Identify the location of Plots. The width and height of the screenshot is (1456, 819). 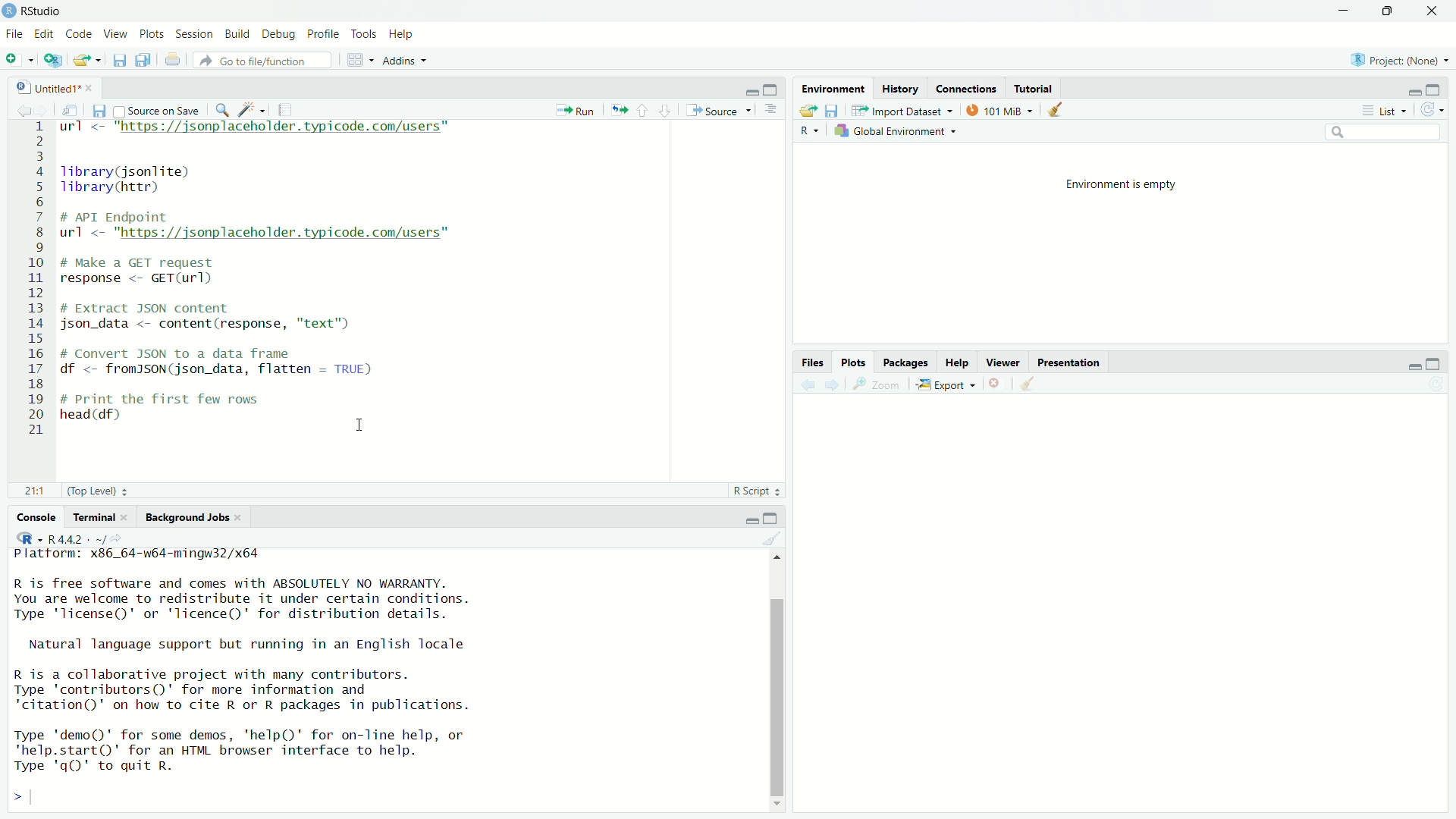
(151, 34).